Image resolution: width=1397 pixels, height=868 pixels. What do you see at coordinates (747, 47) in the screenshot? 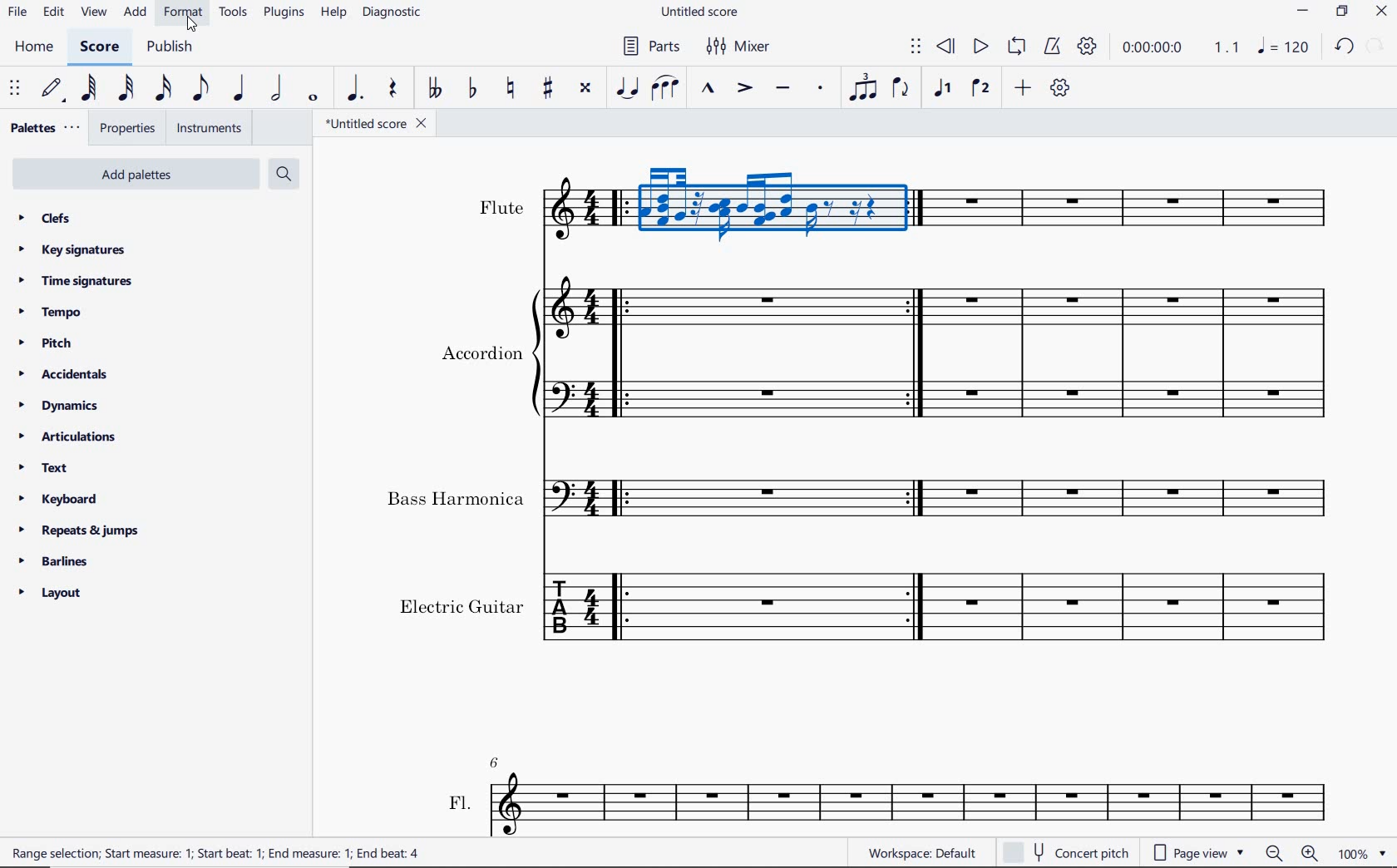
I see `mixer` at bounding box center [747, 47].